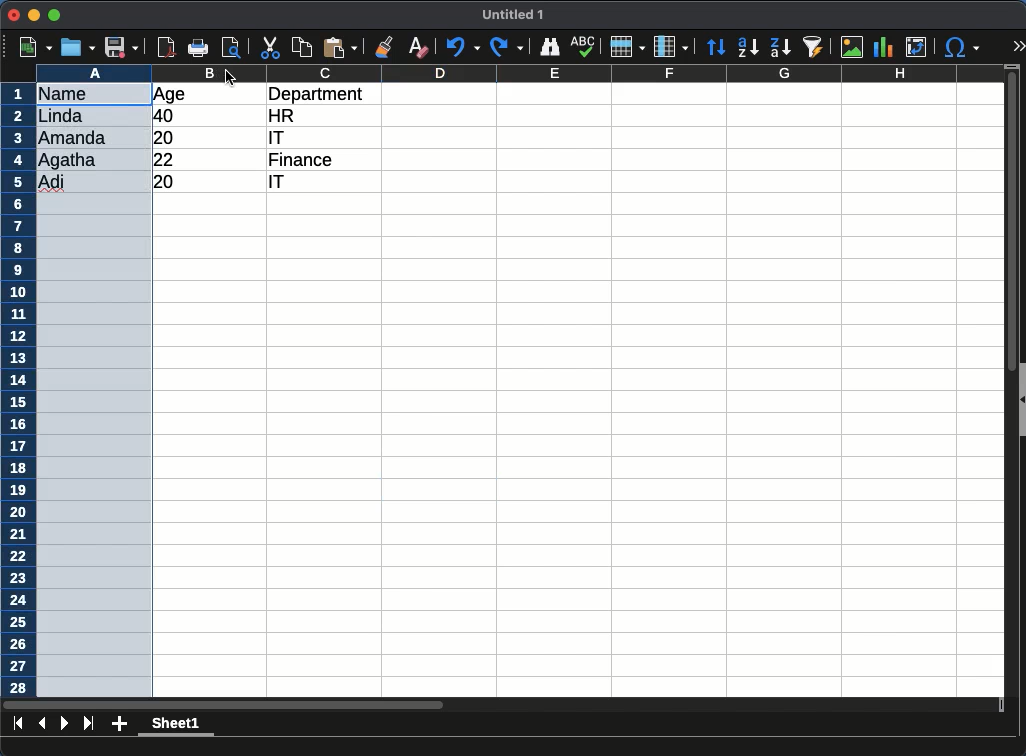  What do you see at coordinates (671, 45) in the screenshot?
I see `columns` at bounding box center [671, 45].